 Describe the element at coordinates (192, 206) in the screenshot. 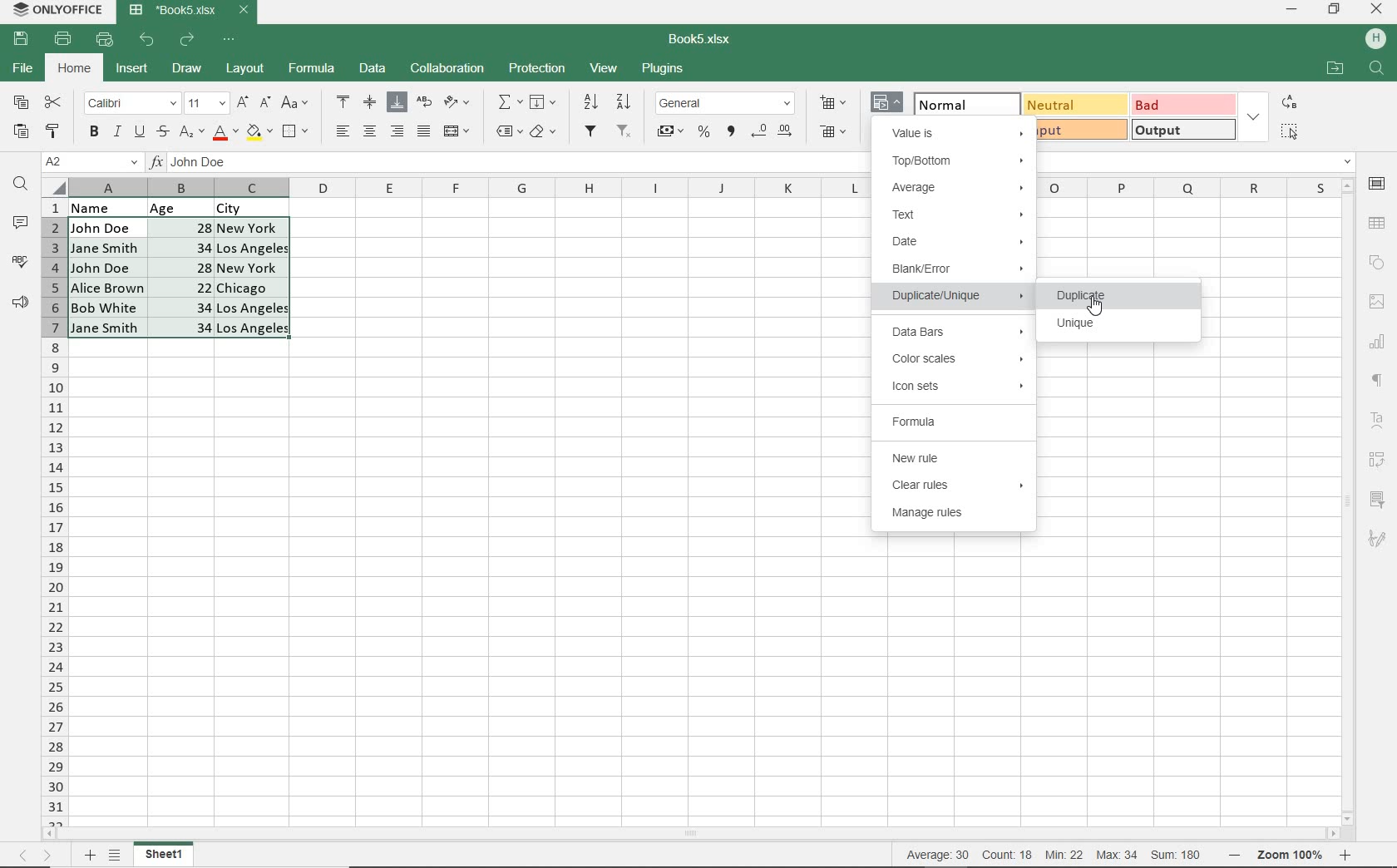

I see `DATA` at that location.